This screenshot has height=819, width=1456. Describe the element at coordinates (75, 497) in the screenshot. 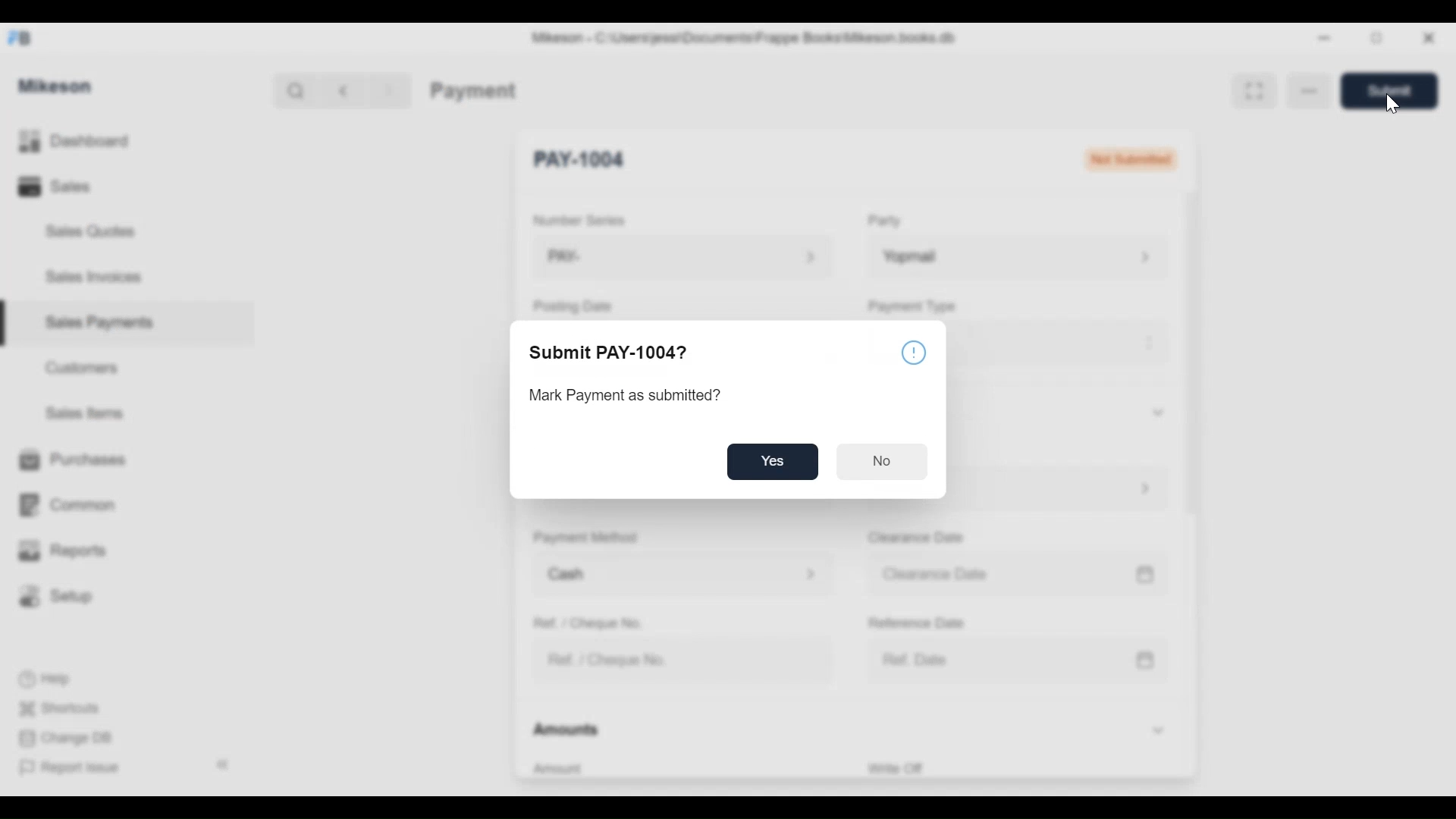

I see `Common` at that location.